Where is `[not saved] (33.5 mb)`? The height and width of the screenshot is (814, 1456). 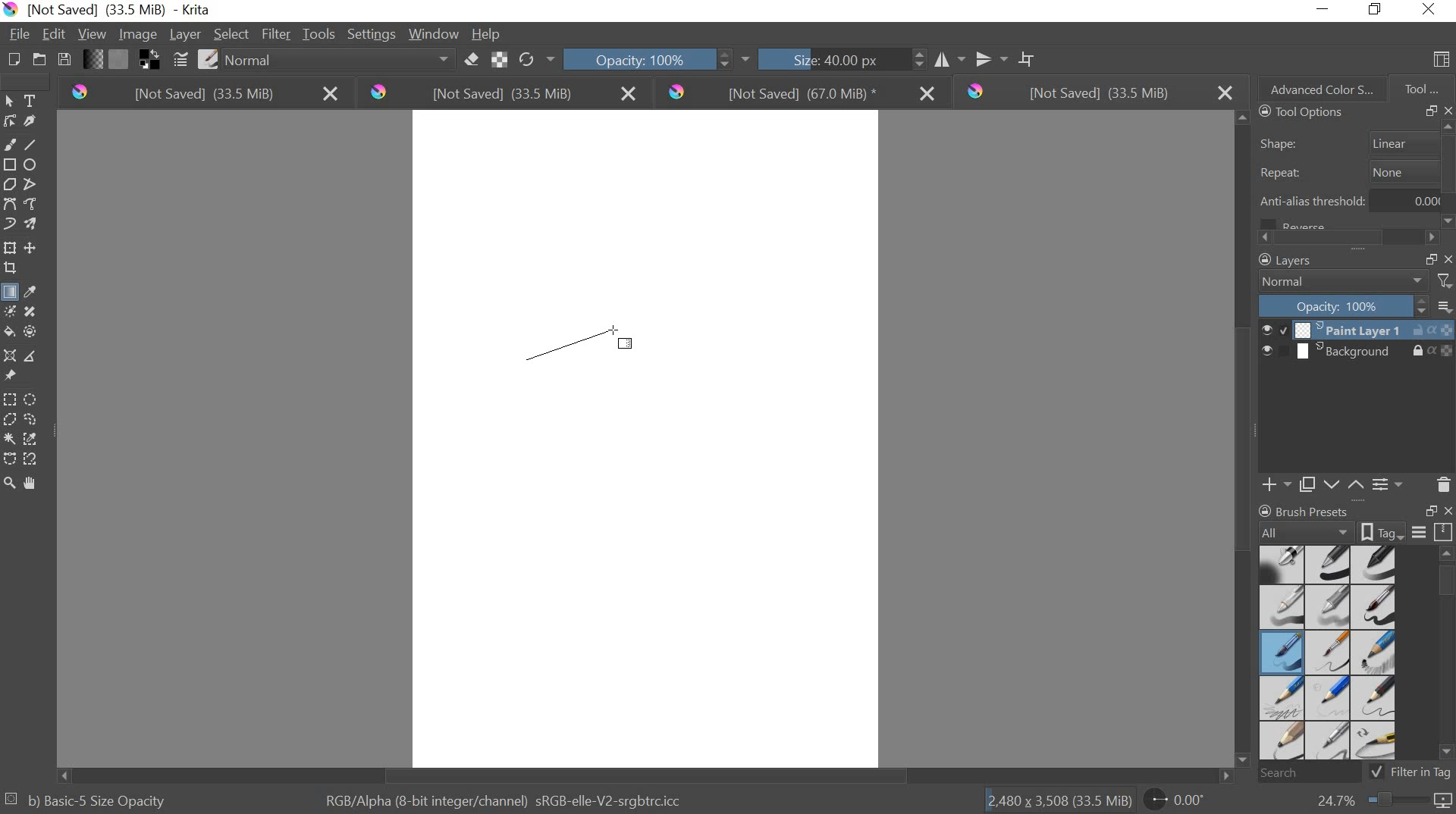
[not saved] (33.5 mb) is located at coordinates (199, 95).